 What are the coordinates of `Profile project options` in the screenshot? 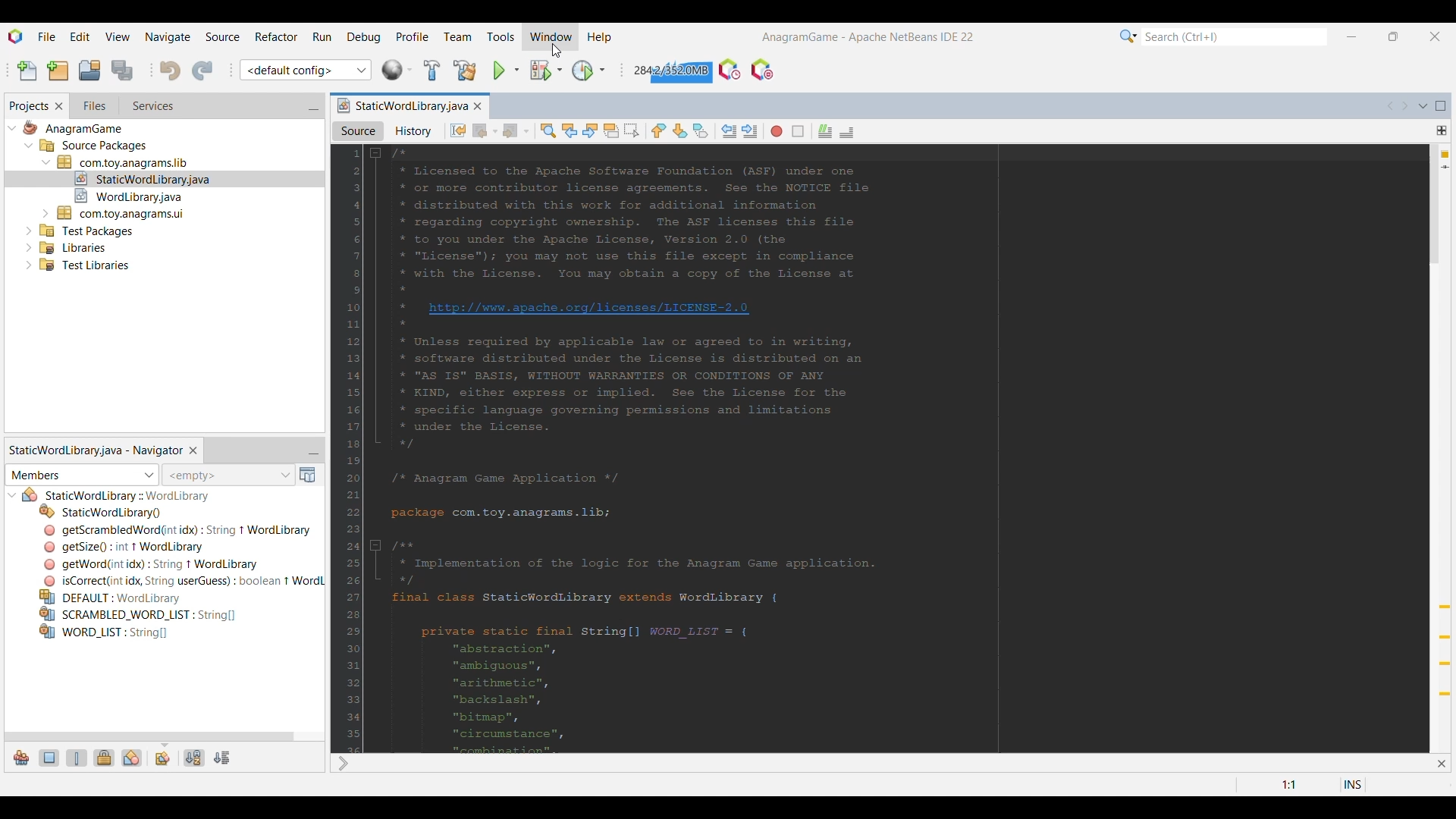 It's located at (602, 70).